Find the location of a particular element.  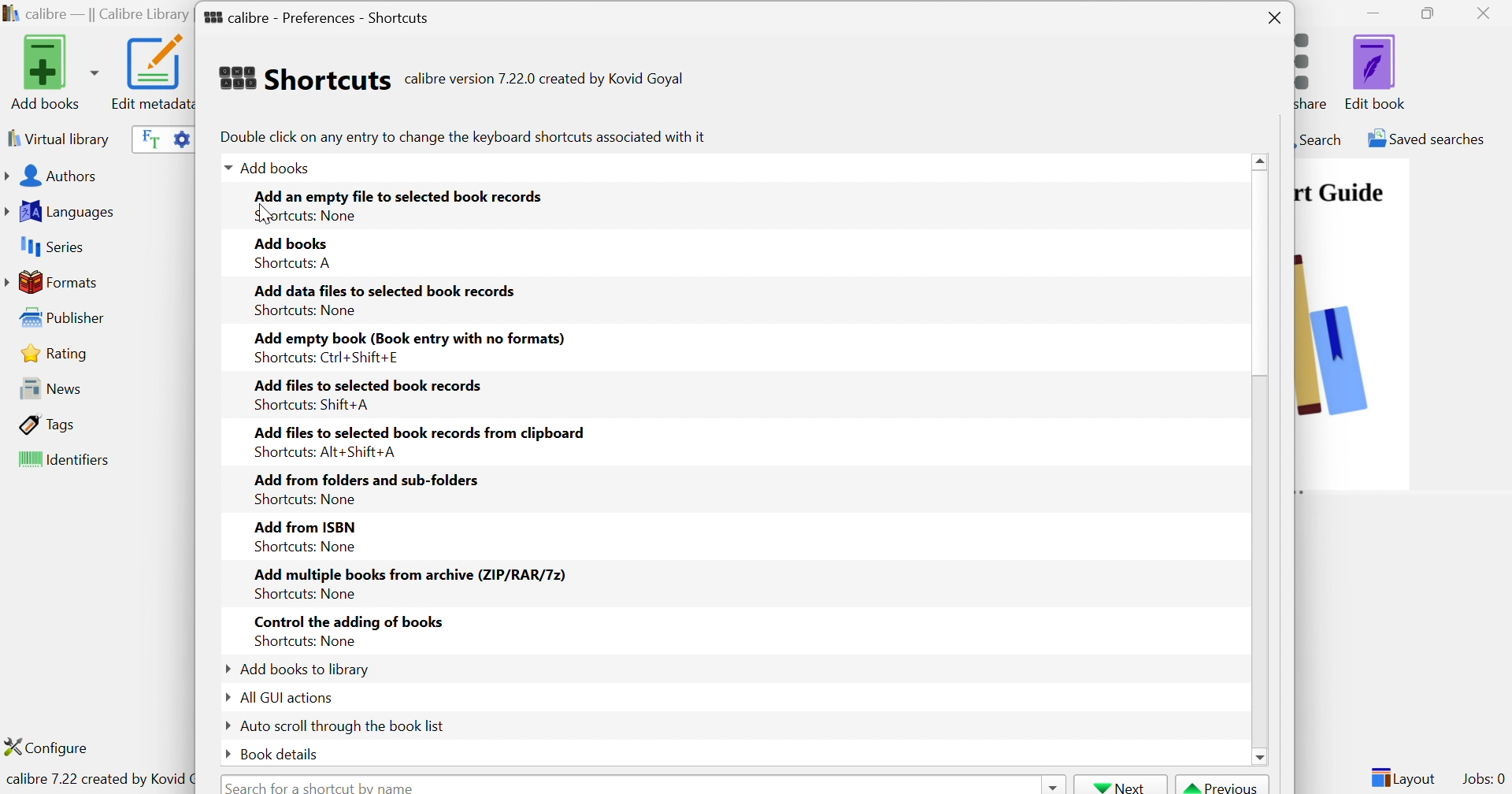

Add books is located at coordinates (293, 242).